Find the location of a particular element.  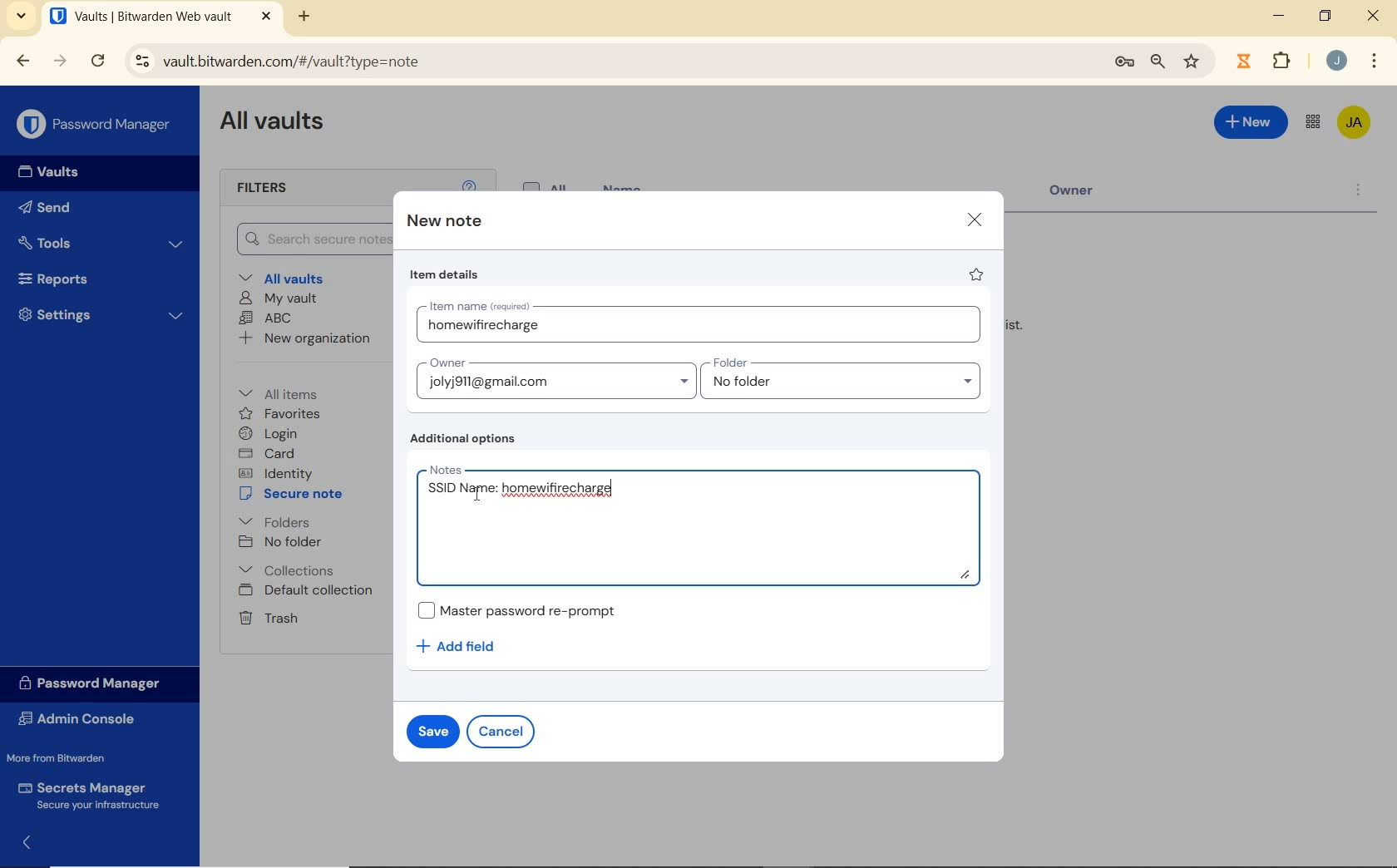

Collections is located at coordinates (290, 570).